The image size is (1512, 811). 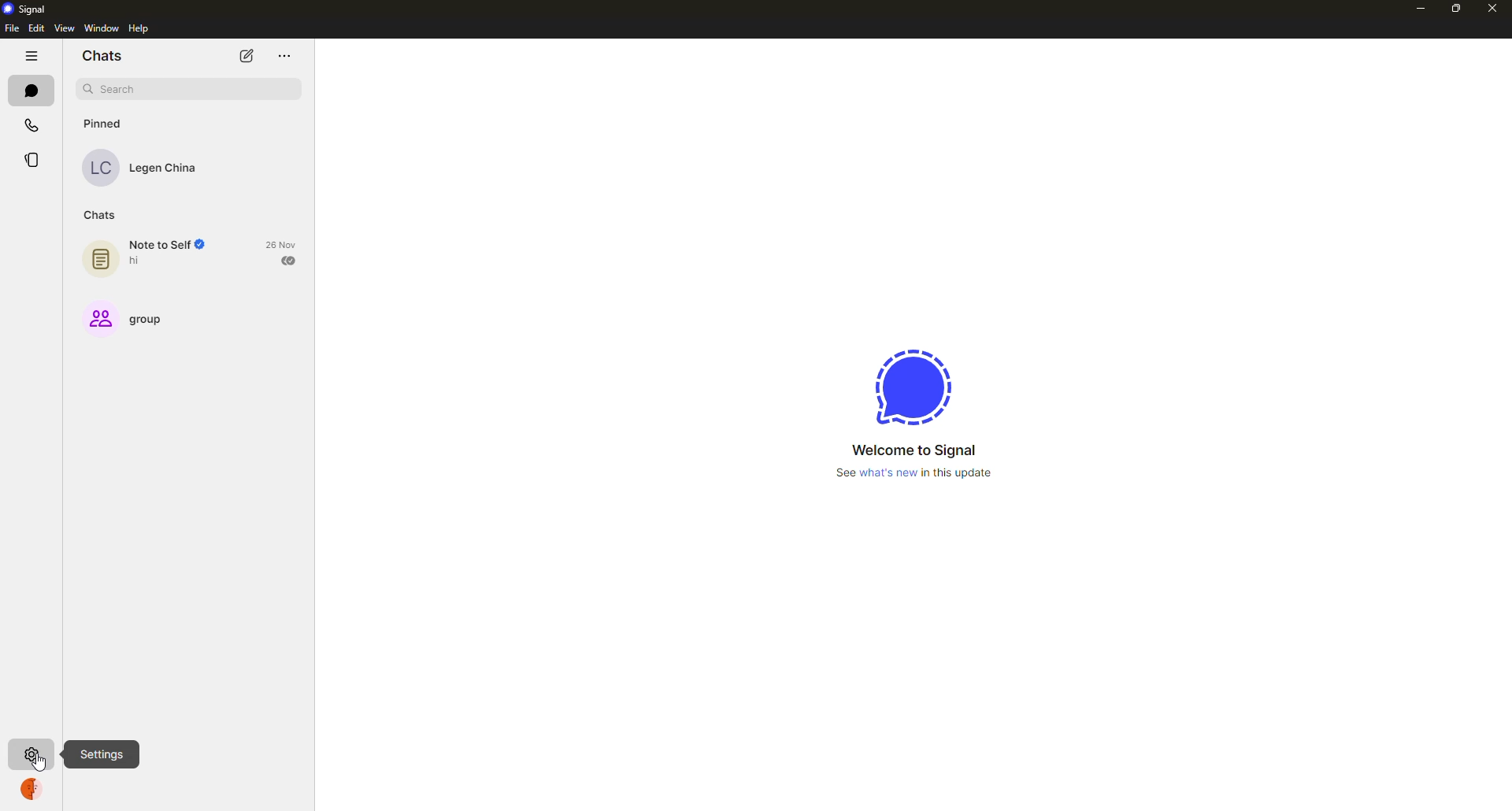 I want to click on chats, so click(x=106, y=57).